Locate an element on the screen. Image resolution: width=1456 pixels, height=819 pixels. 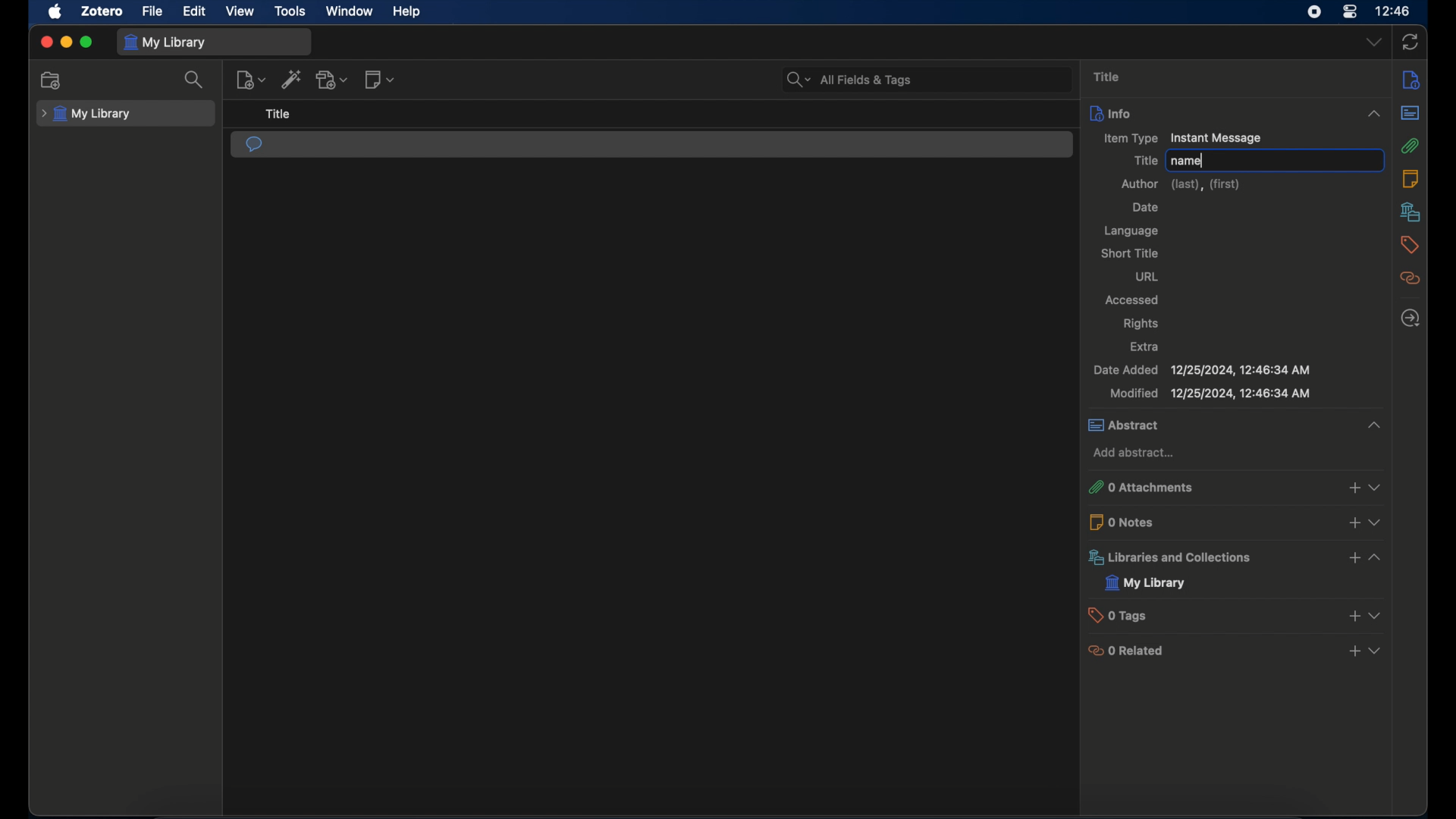
my library is located at coordinates (168, 43).